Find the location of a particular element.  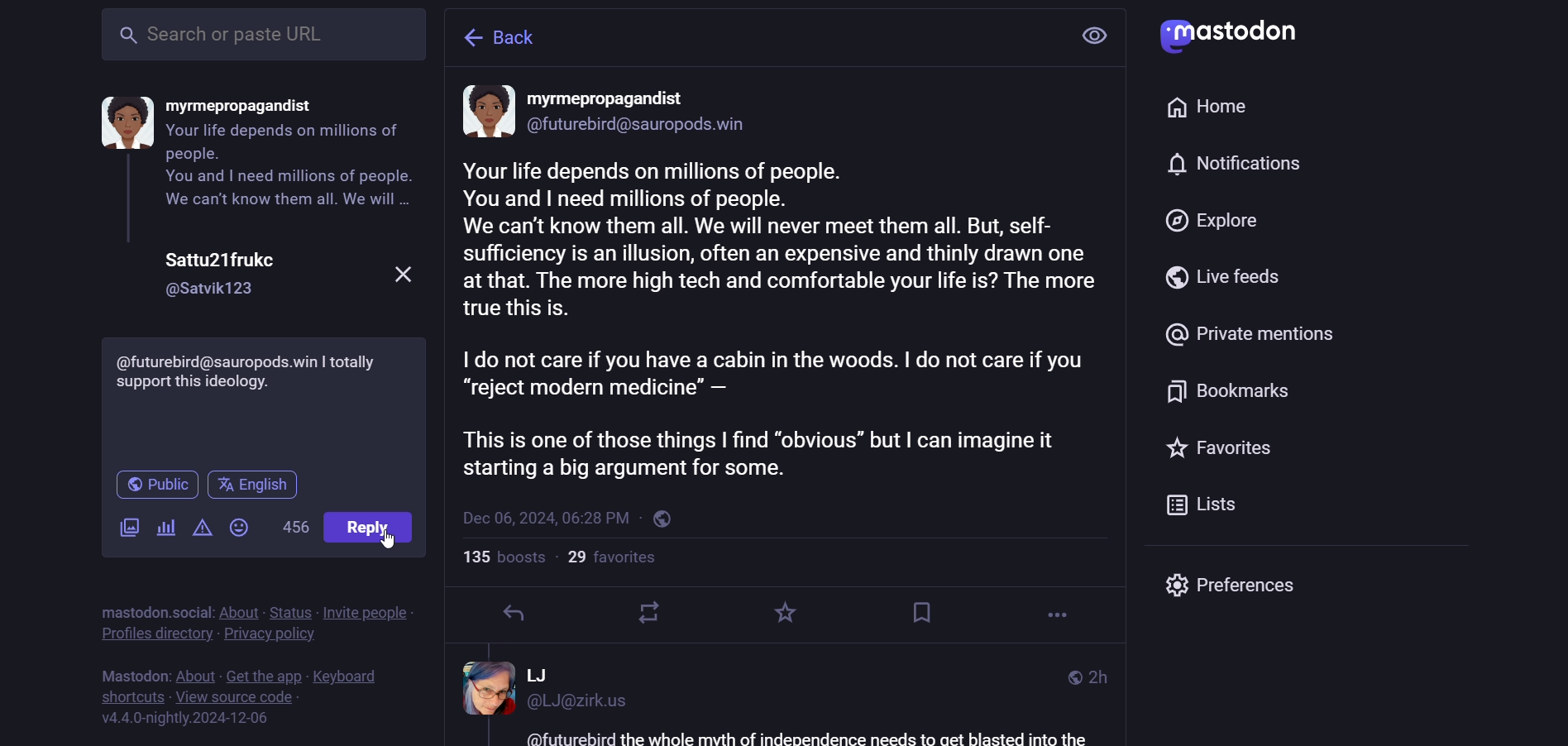

public is located at coordinates (1073, 677).